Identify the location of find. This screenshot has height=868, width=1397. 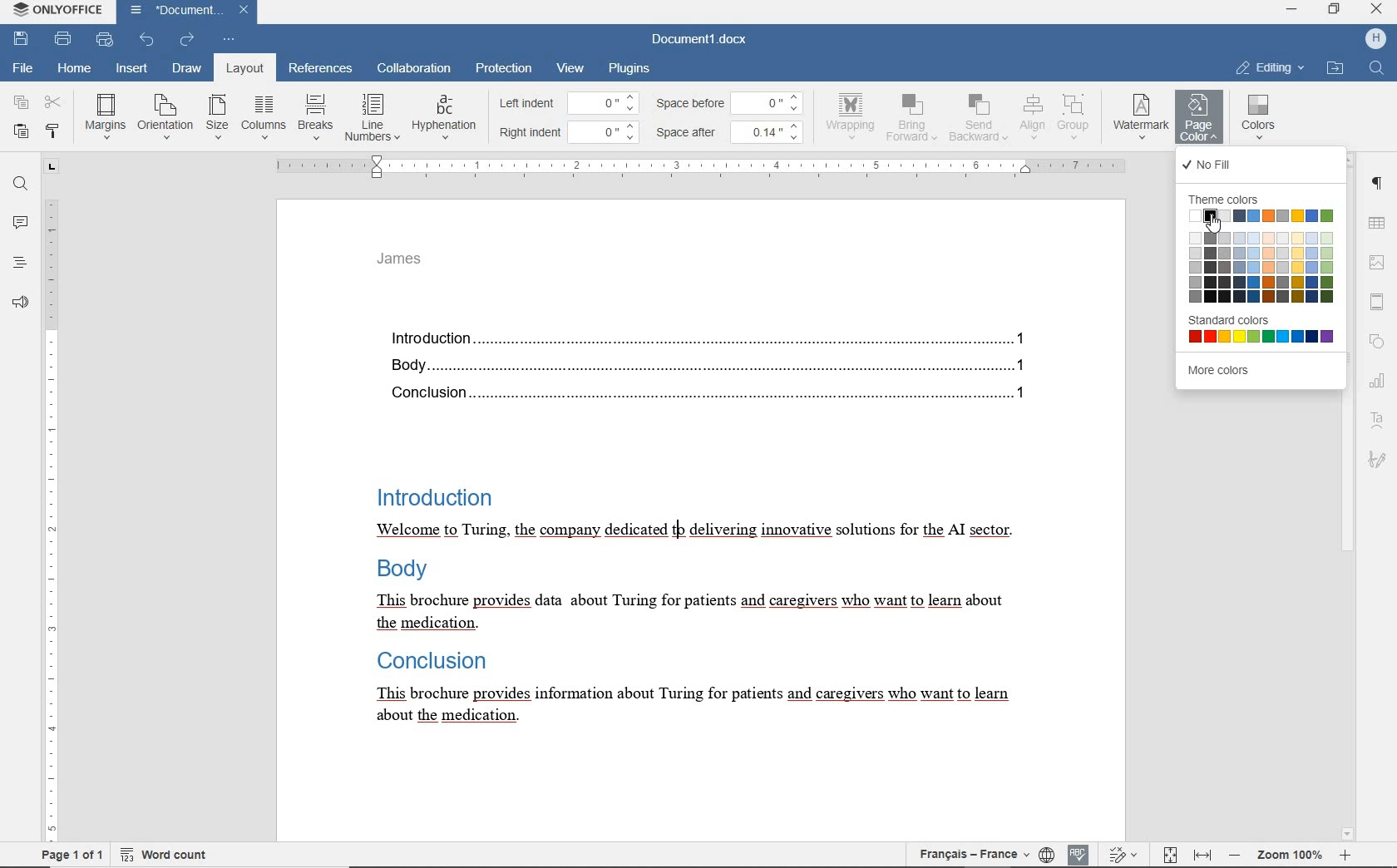
(20, 185).